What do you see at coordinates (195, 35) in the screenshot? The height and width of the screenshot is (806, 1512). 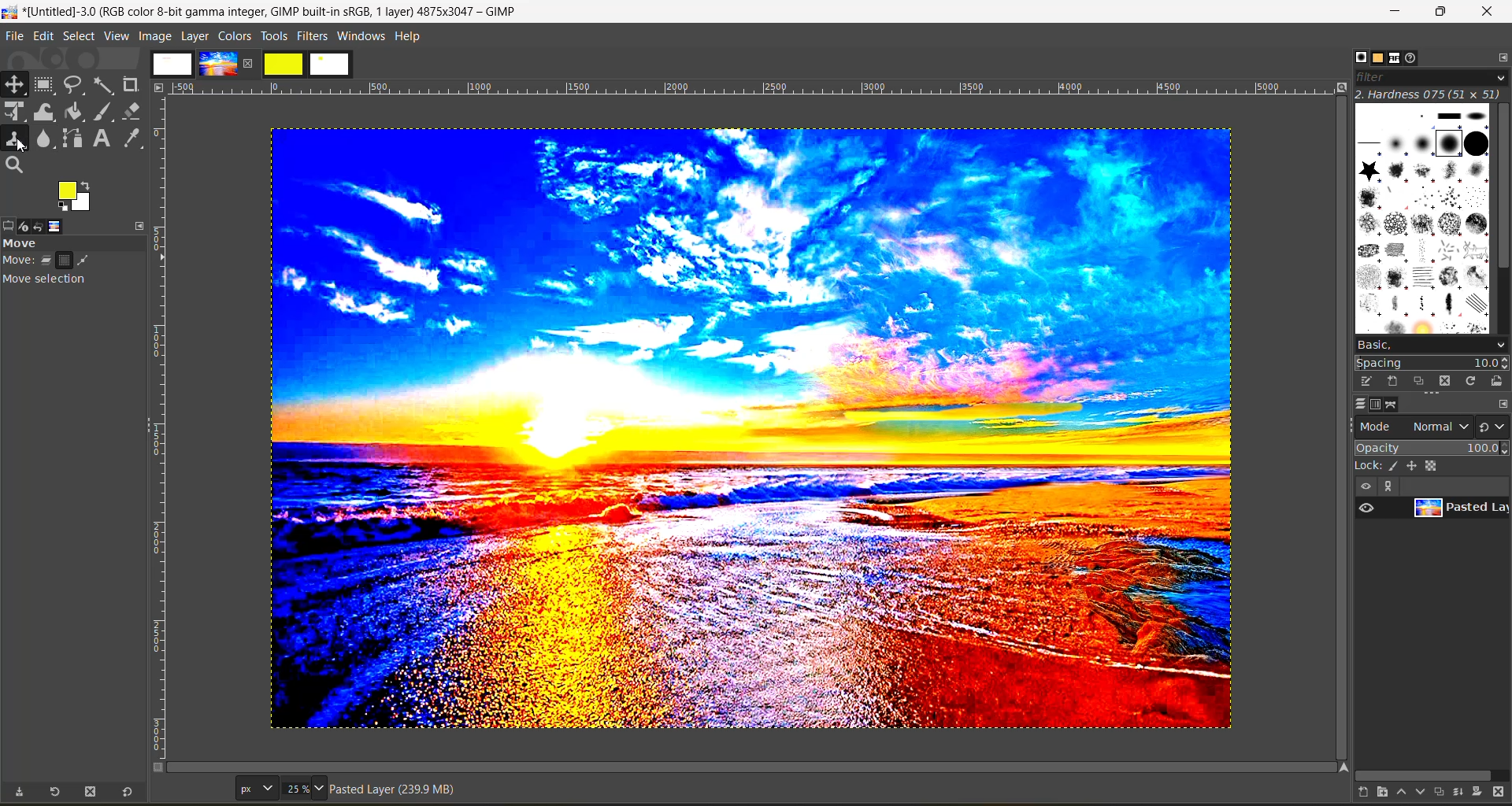 I see `layer` at bounding box center [195, 35].